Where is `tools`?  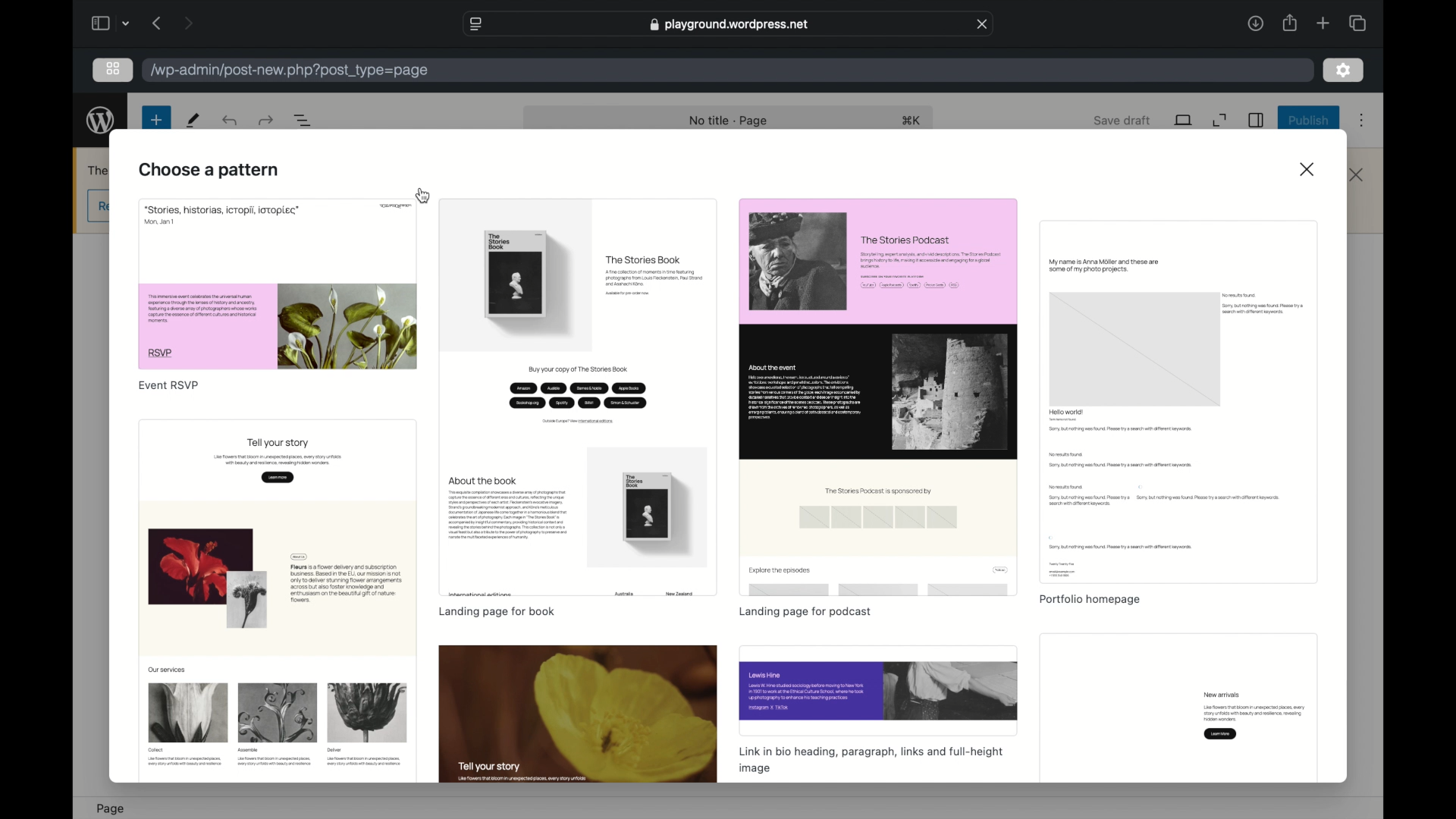
tools is located at coordinates (194, 120).